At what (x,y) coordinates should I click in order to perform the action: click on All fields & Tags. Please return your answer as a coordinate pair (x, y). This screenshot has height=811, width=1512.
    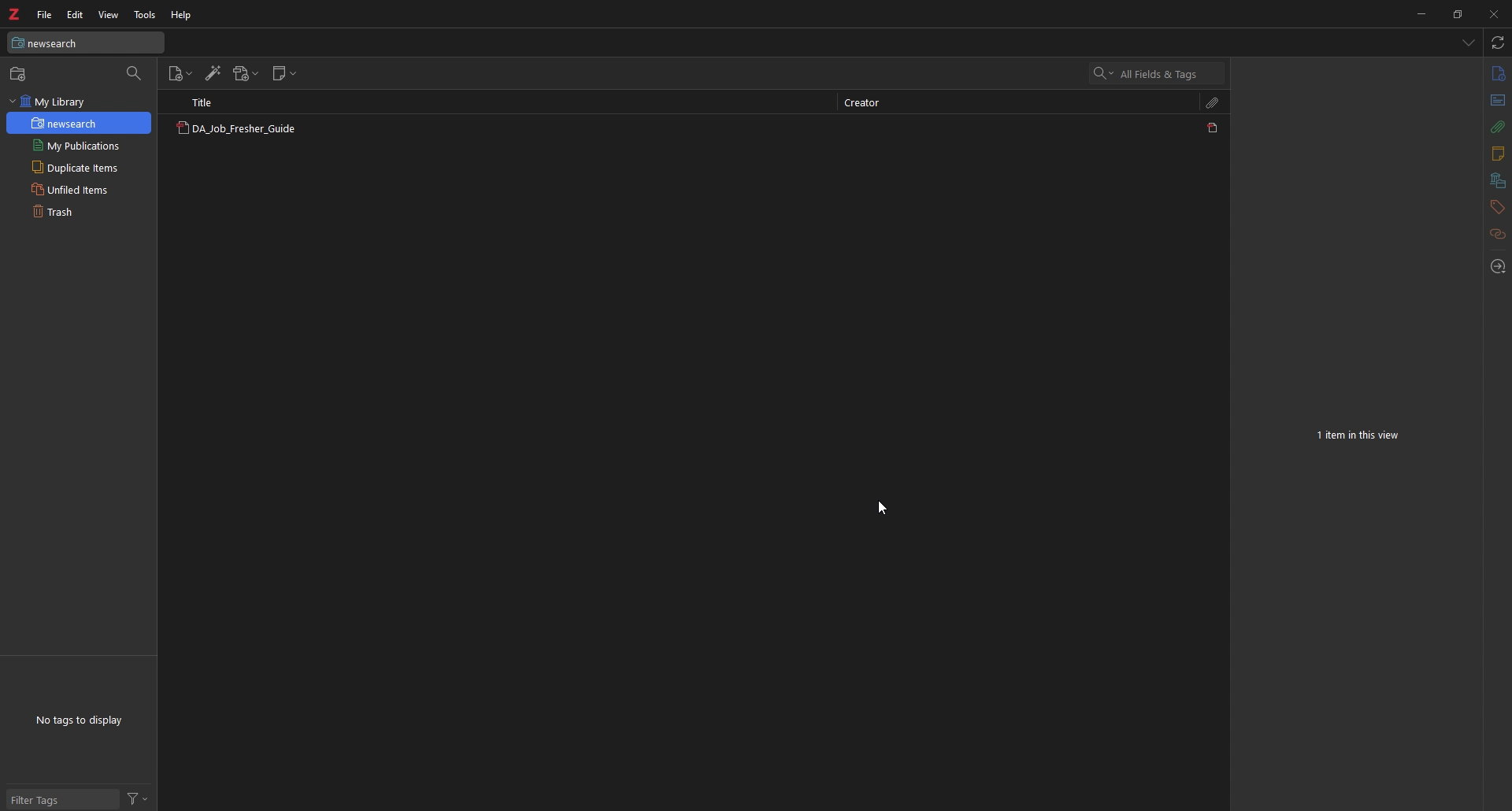
    Looking at the image, I should click on (1158, 73).